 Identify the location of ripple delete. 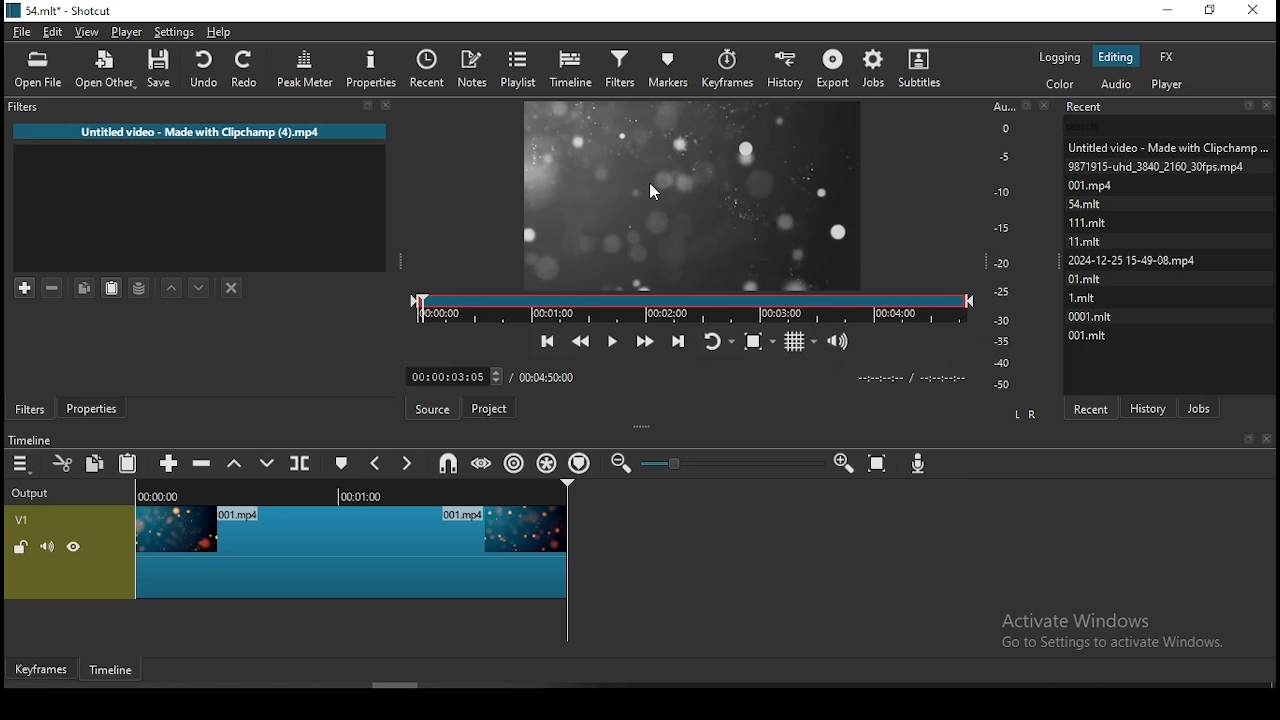
(203, 463).